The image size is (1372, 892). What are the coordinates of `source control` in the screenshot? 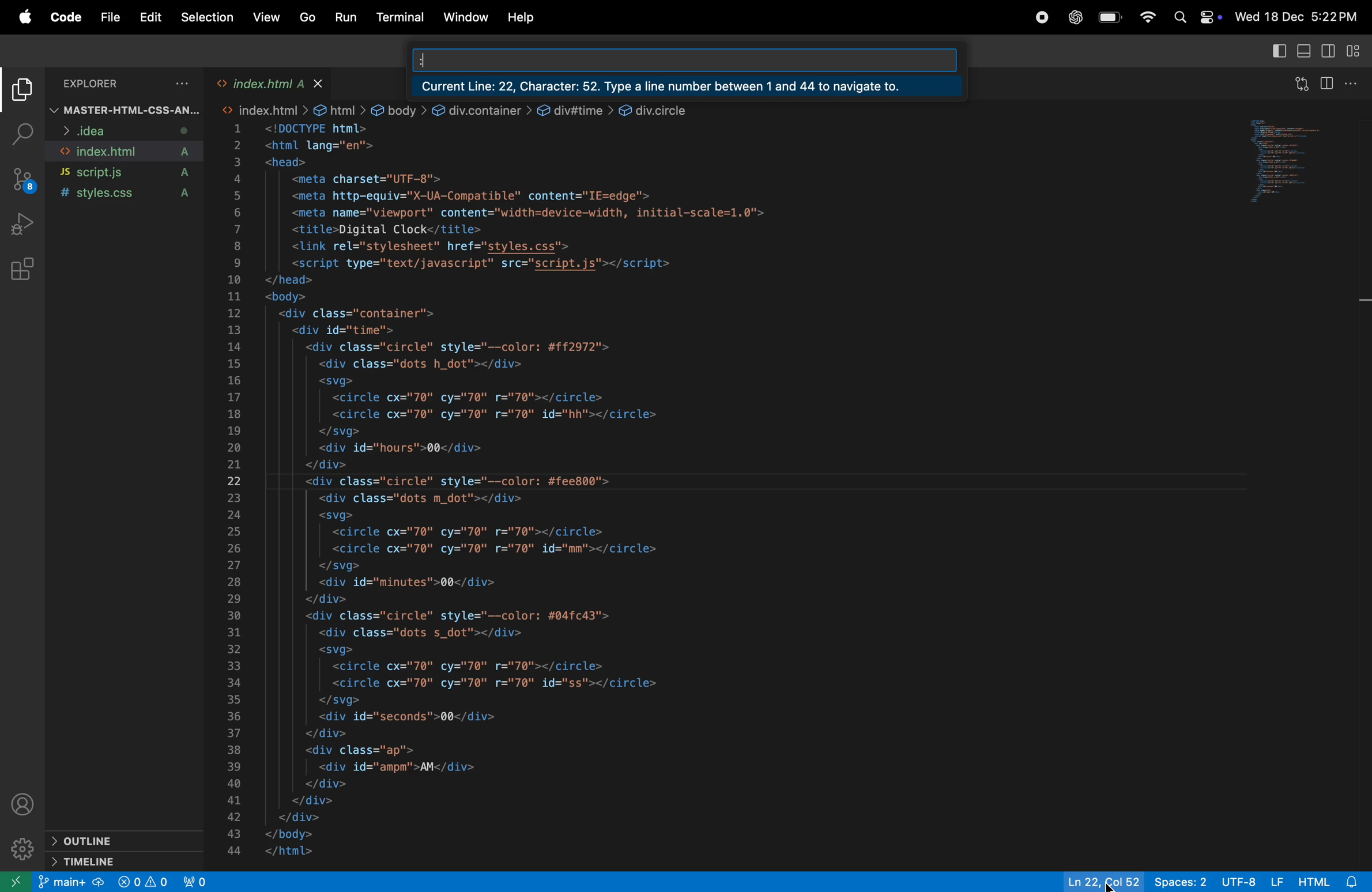 It's located at (22, 181).